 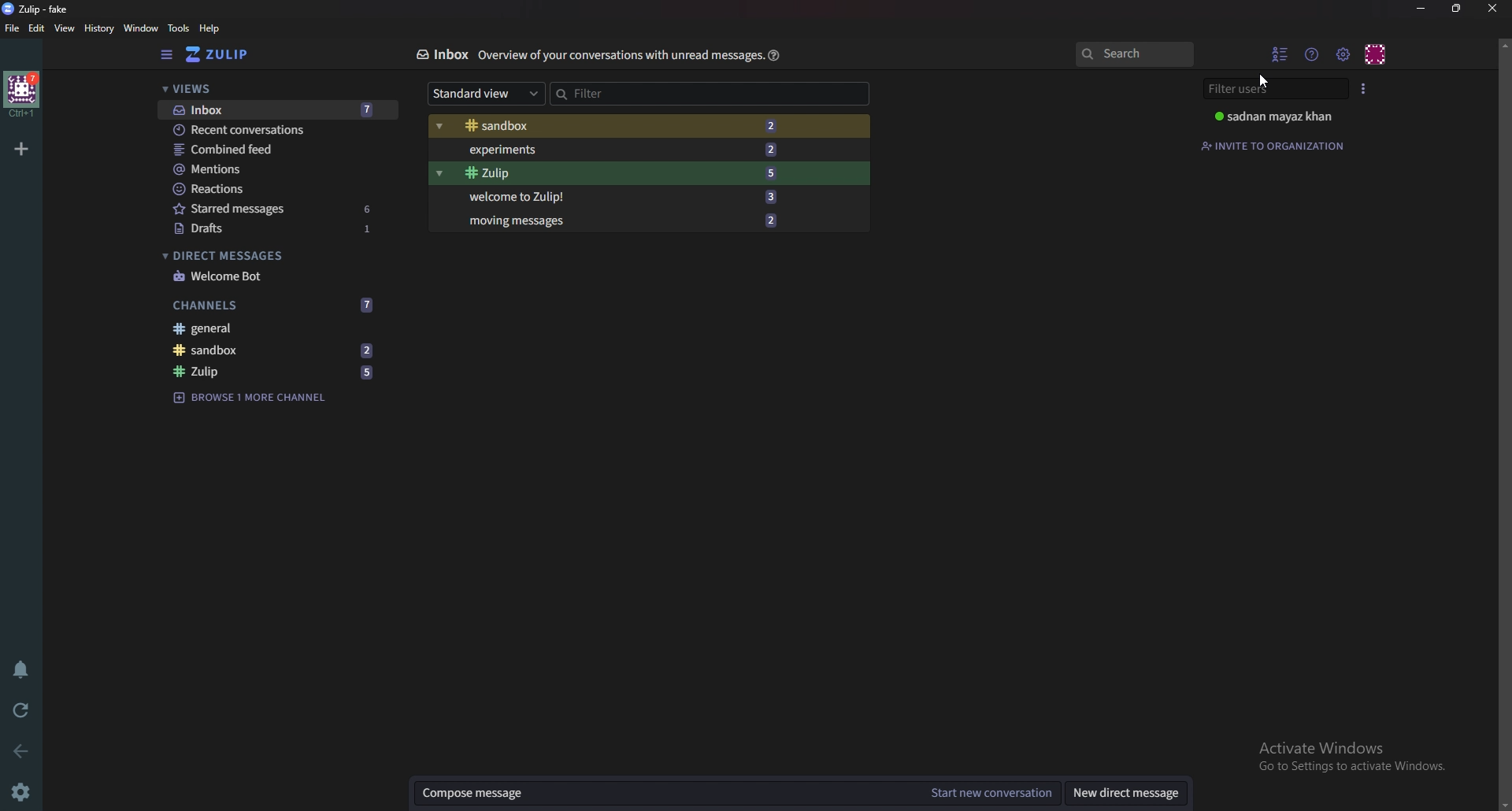 I want to click on Settings, so click(x=24, y=791).